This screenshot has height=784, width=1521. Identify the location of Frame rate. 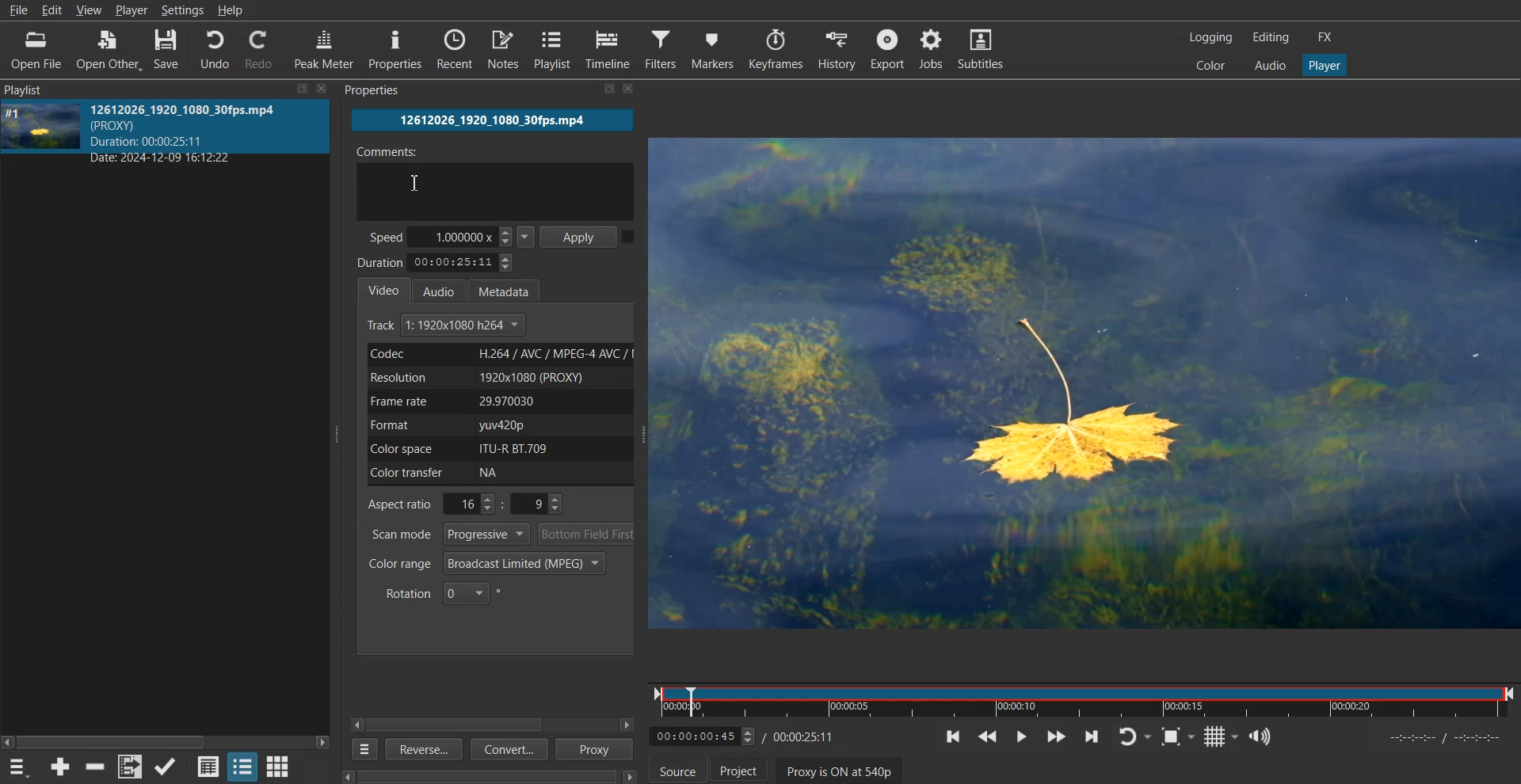
(497, 401).